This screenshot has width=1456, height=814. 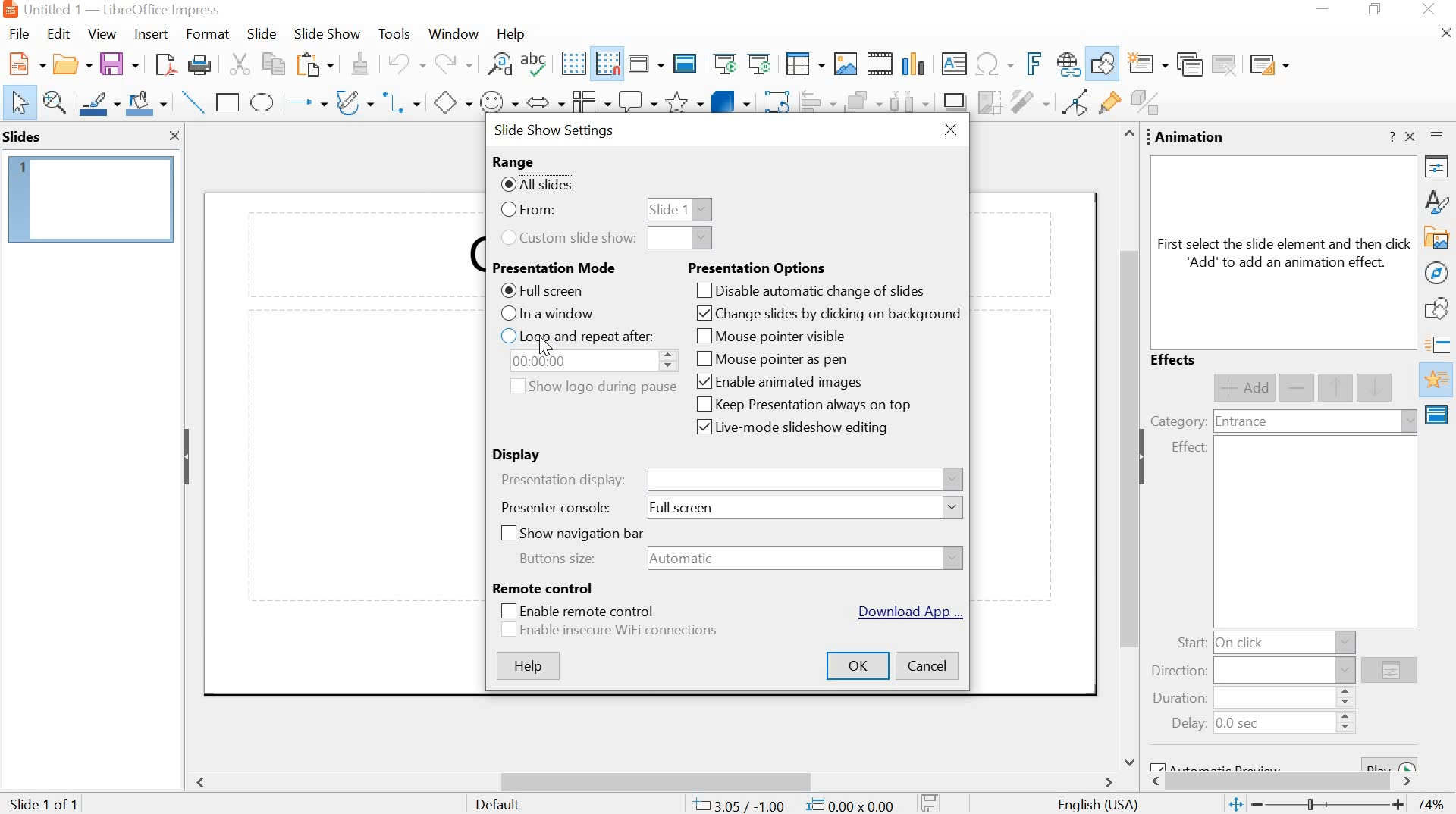 I want to click on remote control, so click(x=544, y=588).